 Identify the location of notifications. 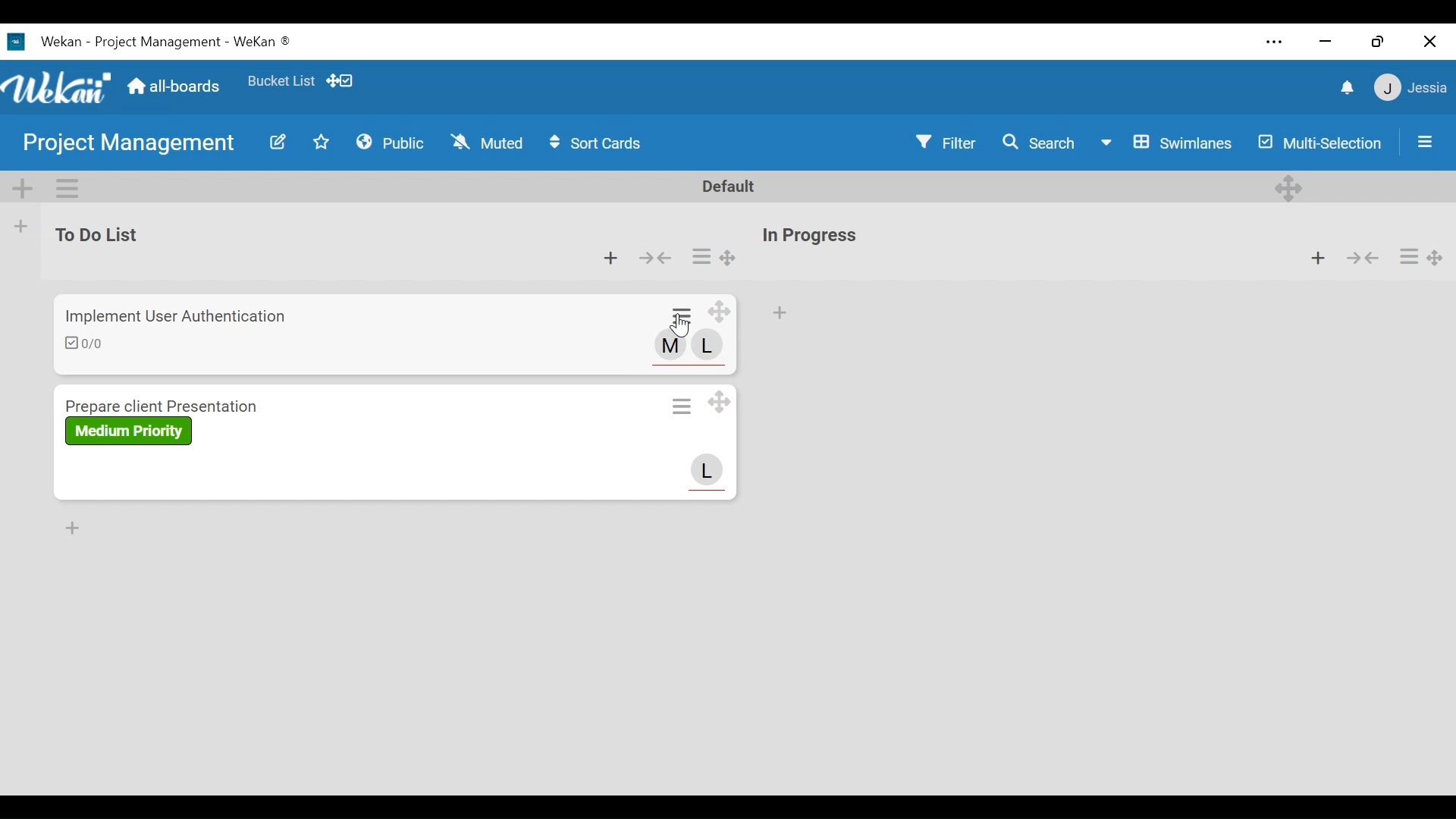
(1345, 86).